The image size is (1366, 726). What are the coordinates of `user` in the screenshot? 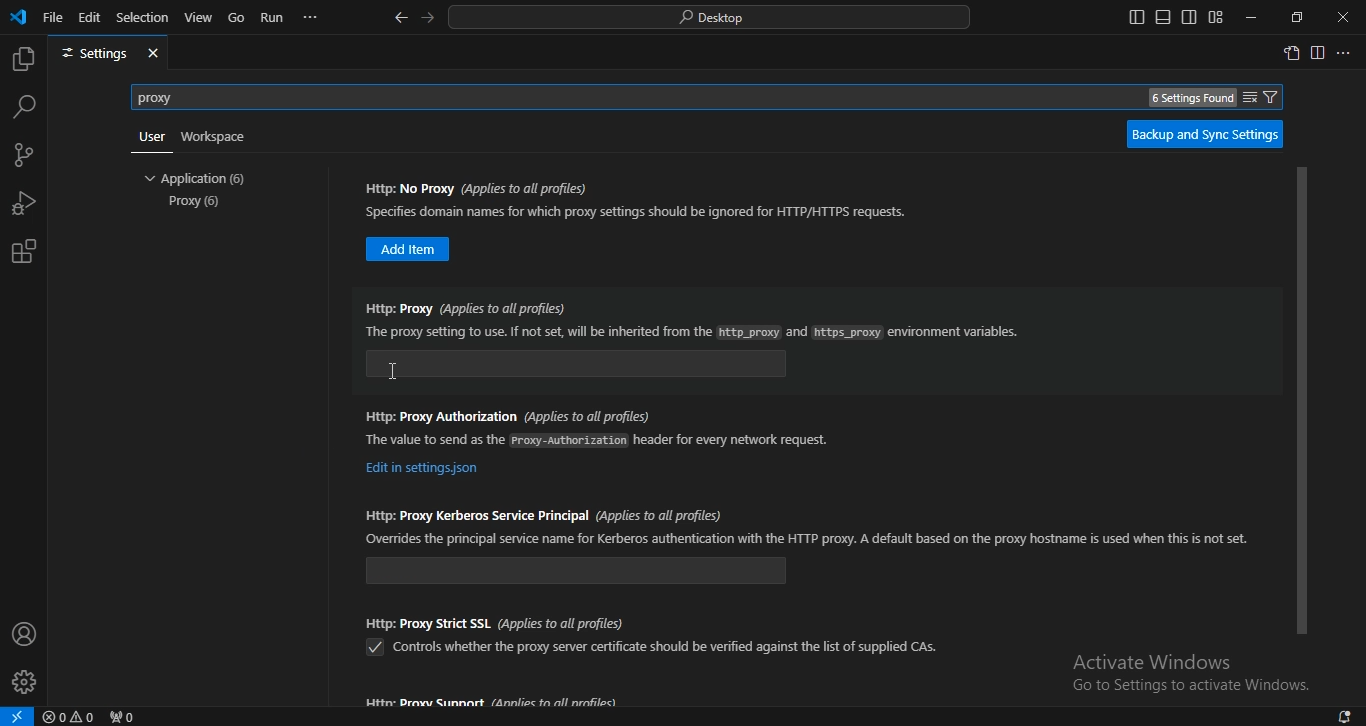 It's located at (151, 137).